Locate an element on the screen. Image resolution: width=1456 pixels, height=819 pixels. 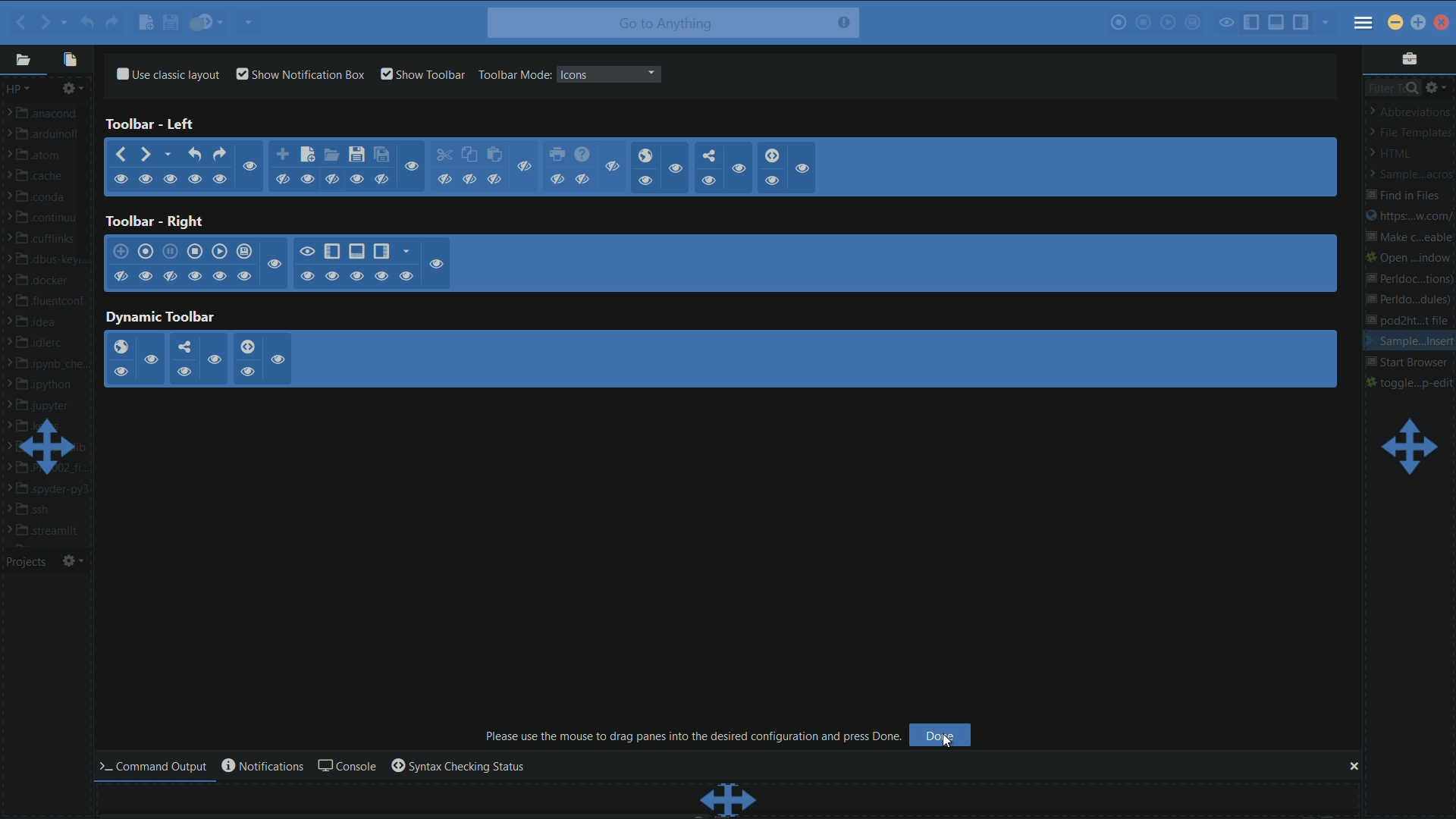
show/hide right pane is located at coordinates (1301, 23).